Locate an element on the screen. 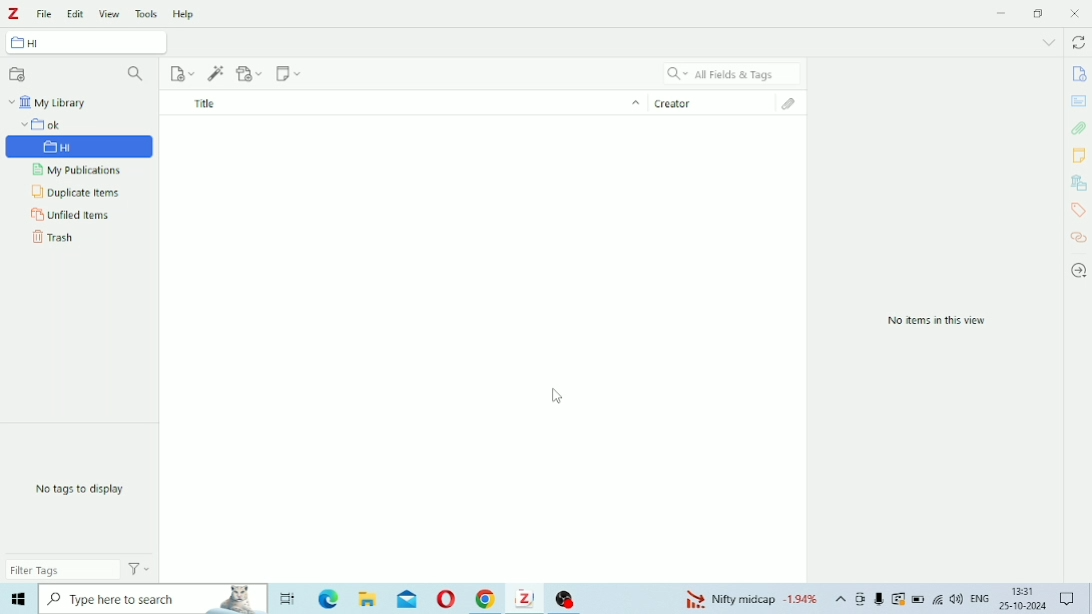 This screenshot has width=1092, height=614. Meet Now is located at coordinates (861, 599).